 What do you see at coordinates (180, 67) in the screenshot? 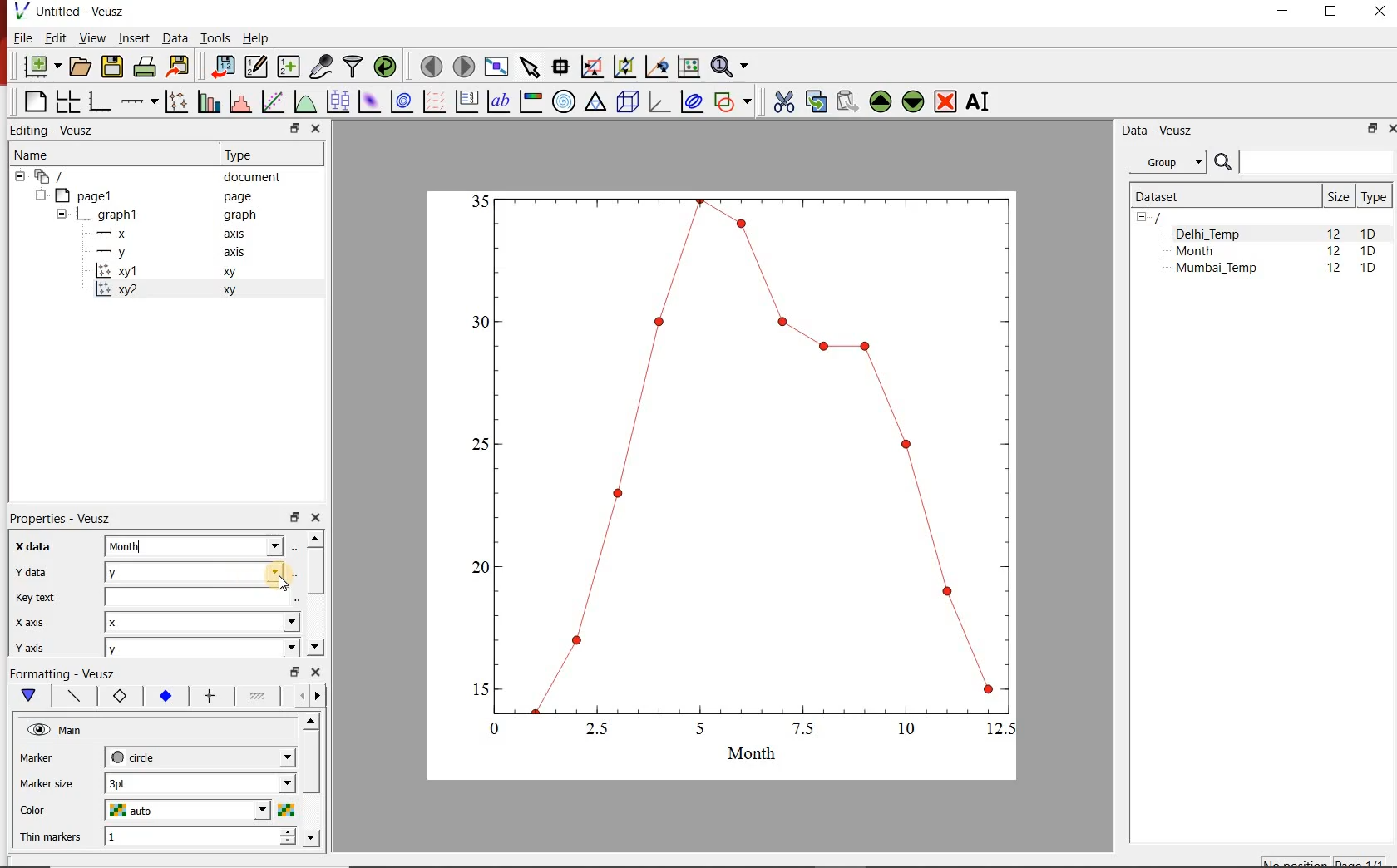
I see `export to graphics format` at bounding box center [180, 67].